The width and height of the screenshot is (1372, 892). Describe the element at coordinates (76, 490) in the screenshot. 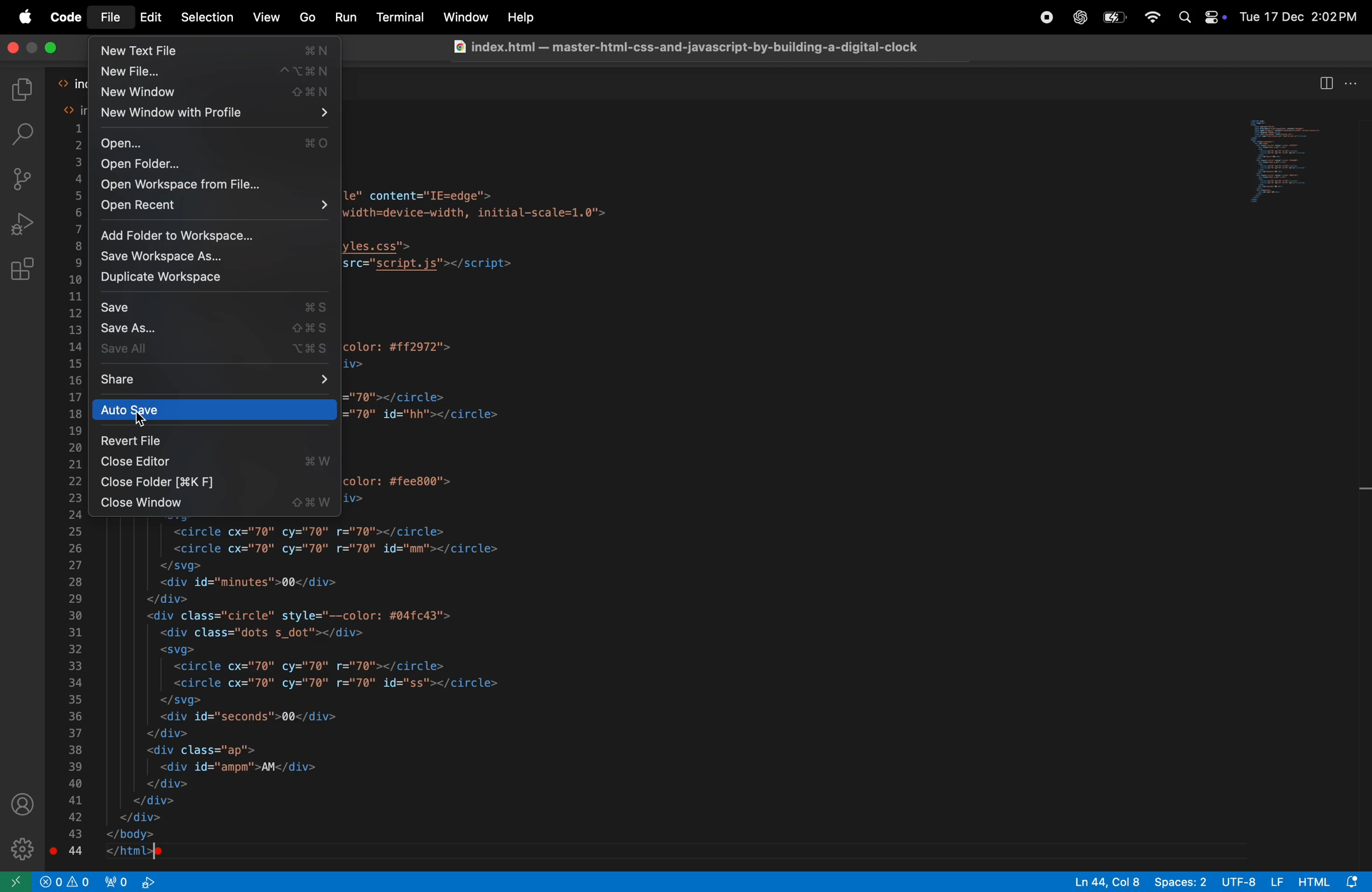

I see `line numbers` at that location.